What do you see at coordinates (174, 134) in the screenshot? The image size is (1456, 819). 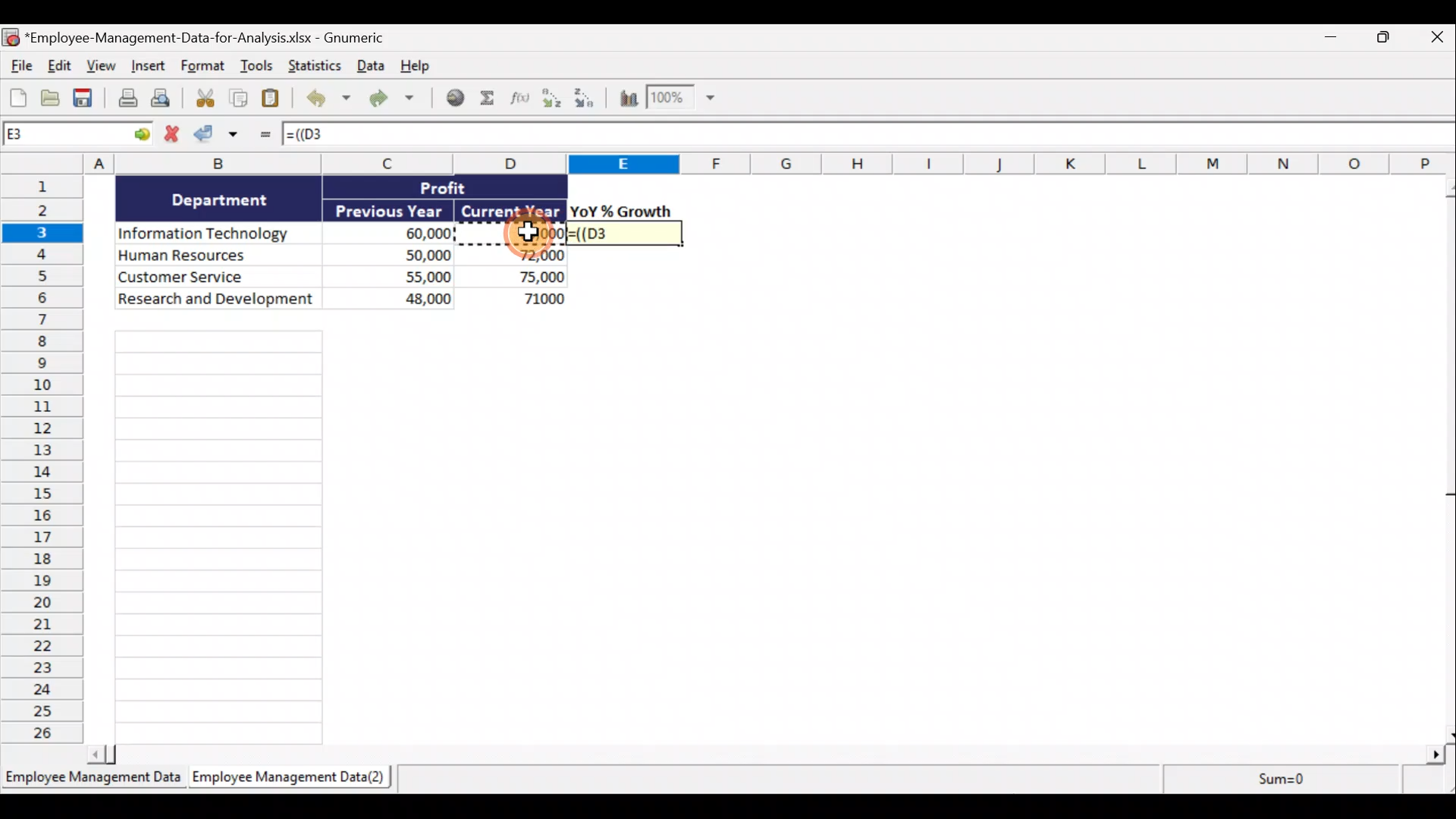 I see `Cancel change` at bounding box center [174, 134].